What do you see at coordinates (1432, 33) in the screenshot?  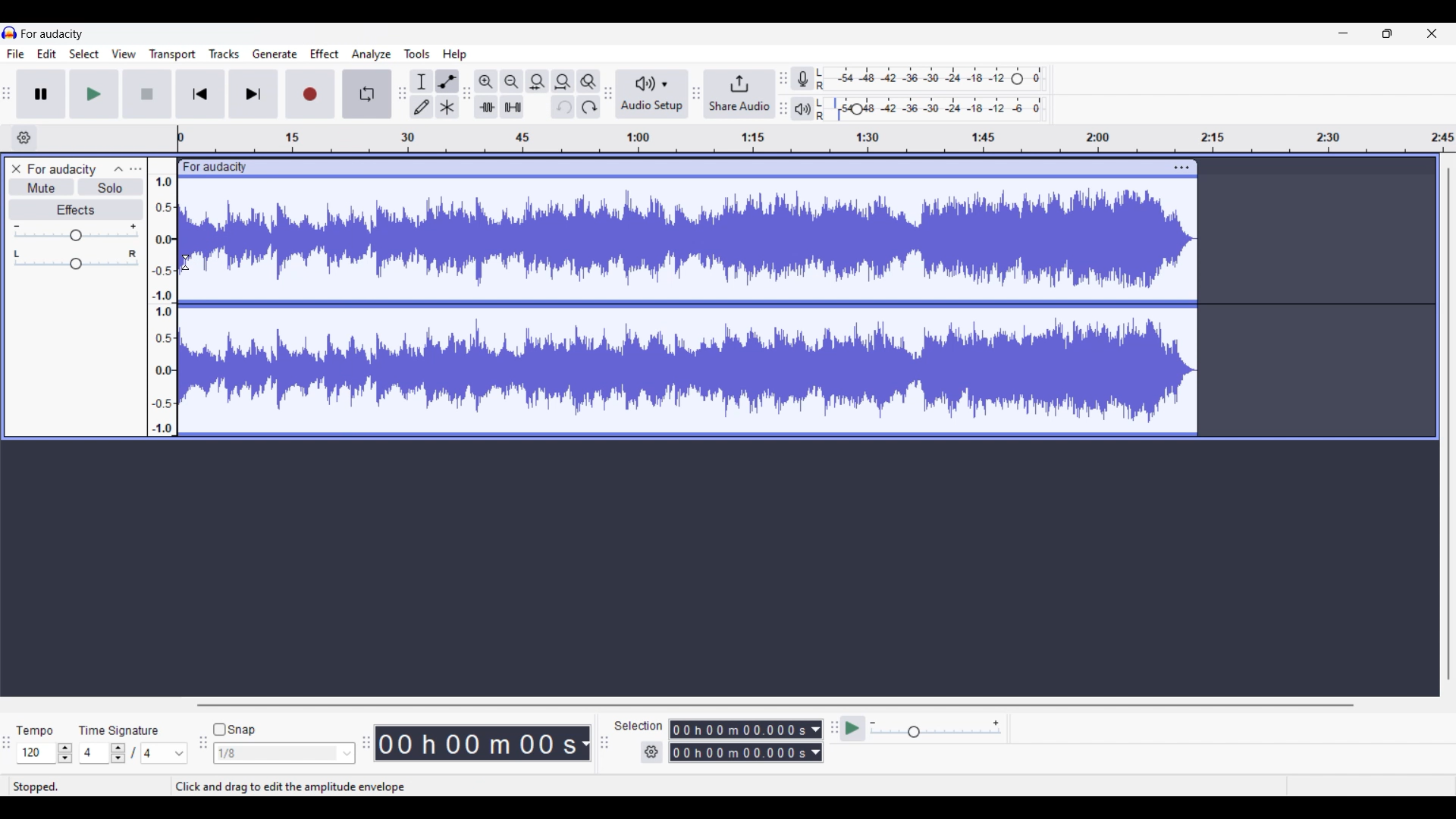 I see `Close interface` at bounding box center [1432, 33].